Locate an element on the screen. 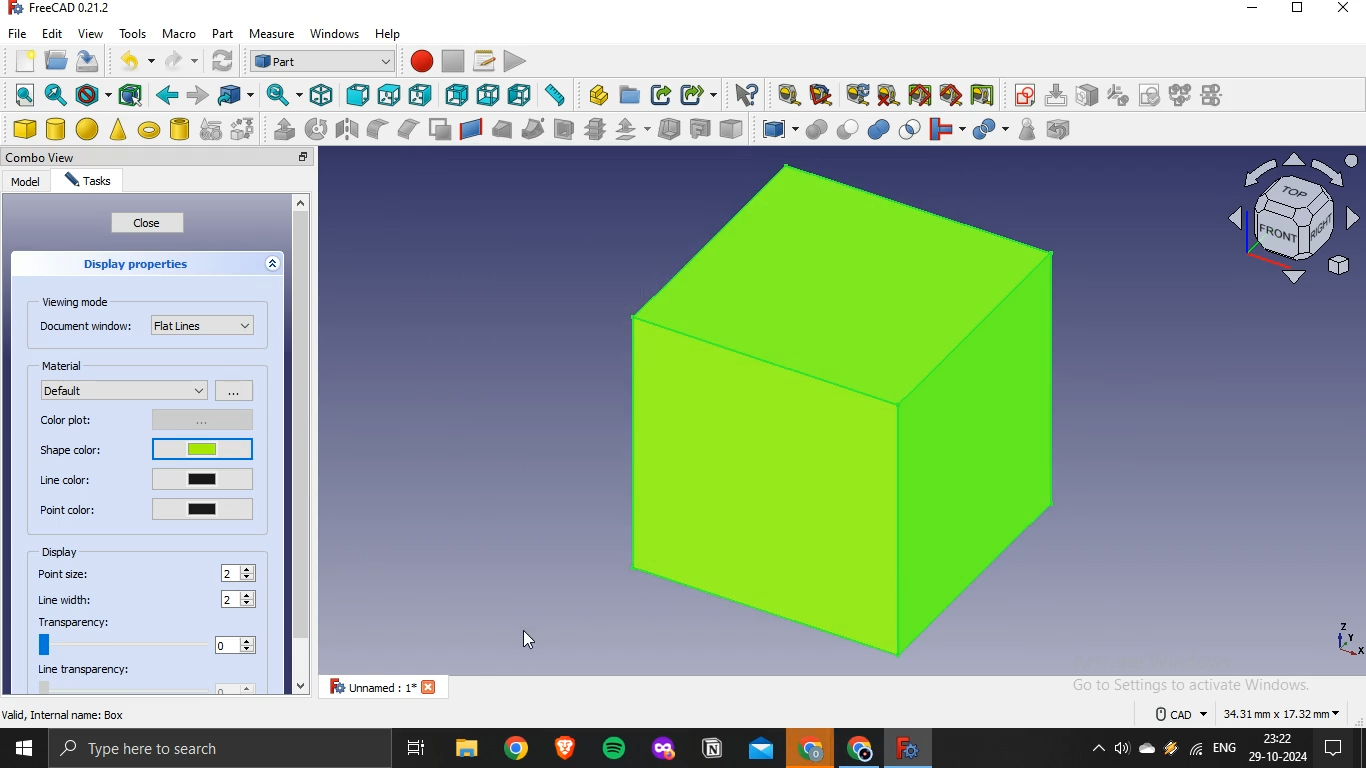 This screenshot has height=768, width=1366. minimize is located at coordinates (1252, 9).